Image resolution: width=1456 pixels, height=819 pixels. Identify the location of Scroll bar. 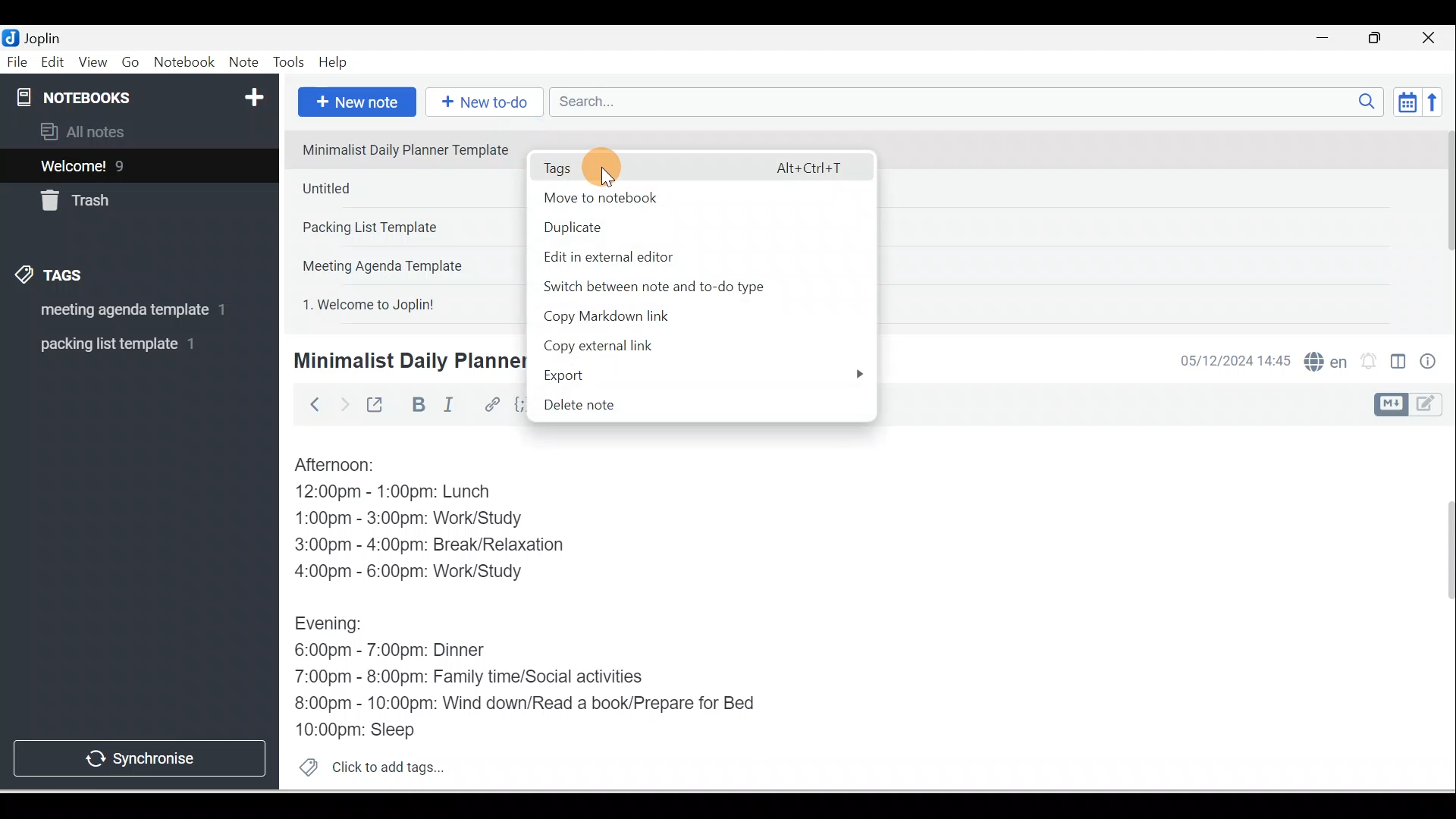
(1439, 608).